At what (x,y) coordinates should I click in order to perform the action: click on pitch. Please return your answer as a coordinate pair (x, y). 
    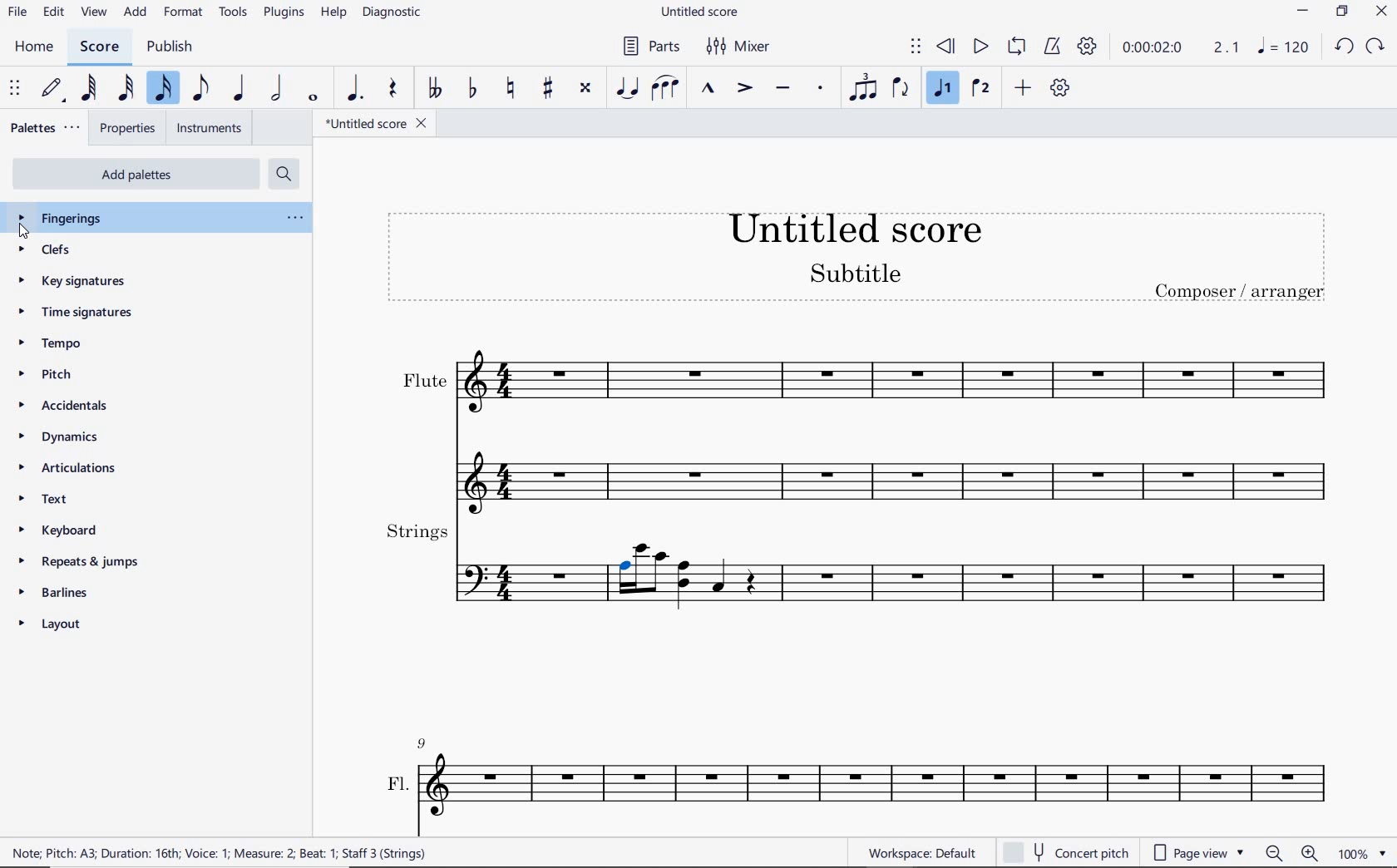
    Looking at the image, I should click on (60, 375).